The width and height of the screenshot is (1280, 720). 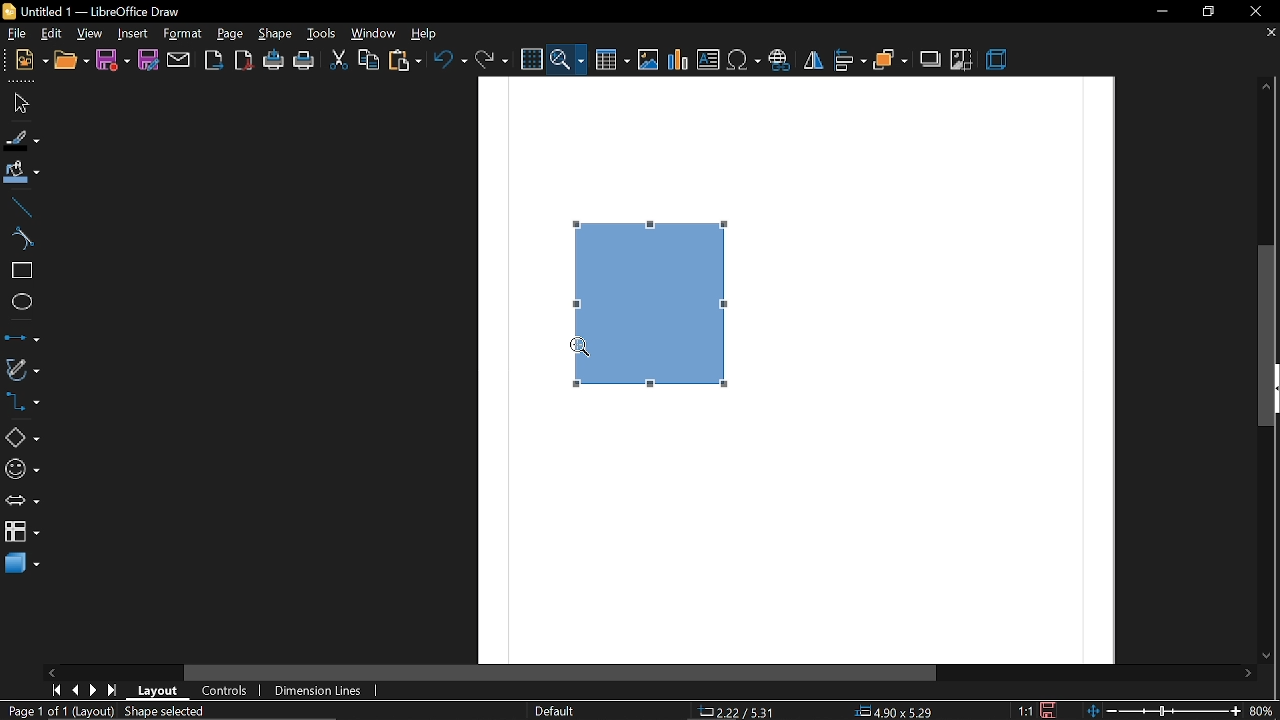 I want to click on vertical scrollbar, so click(x=1267, y=387).